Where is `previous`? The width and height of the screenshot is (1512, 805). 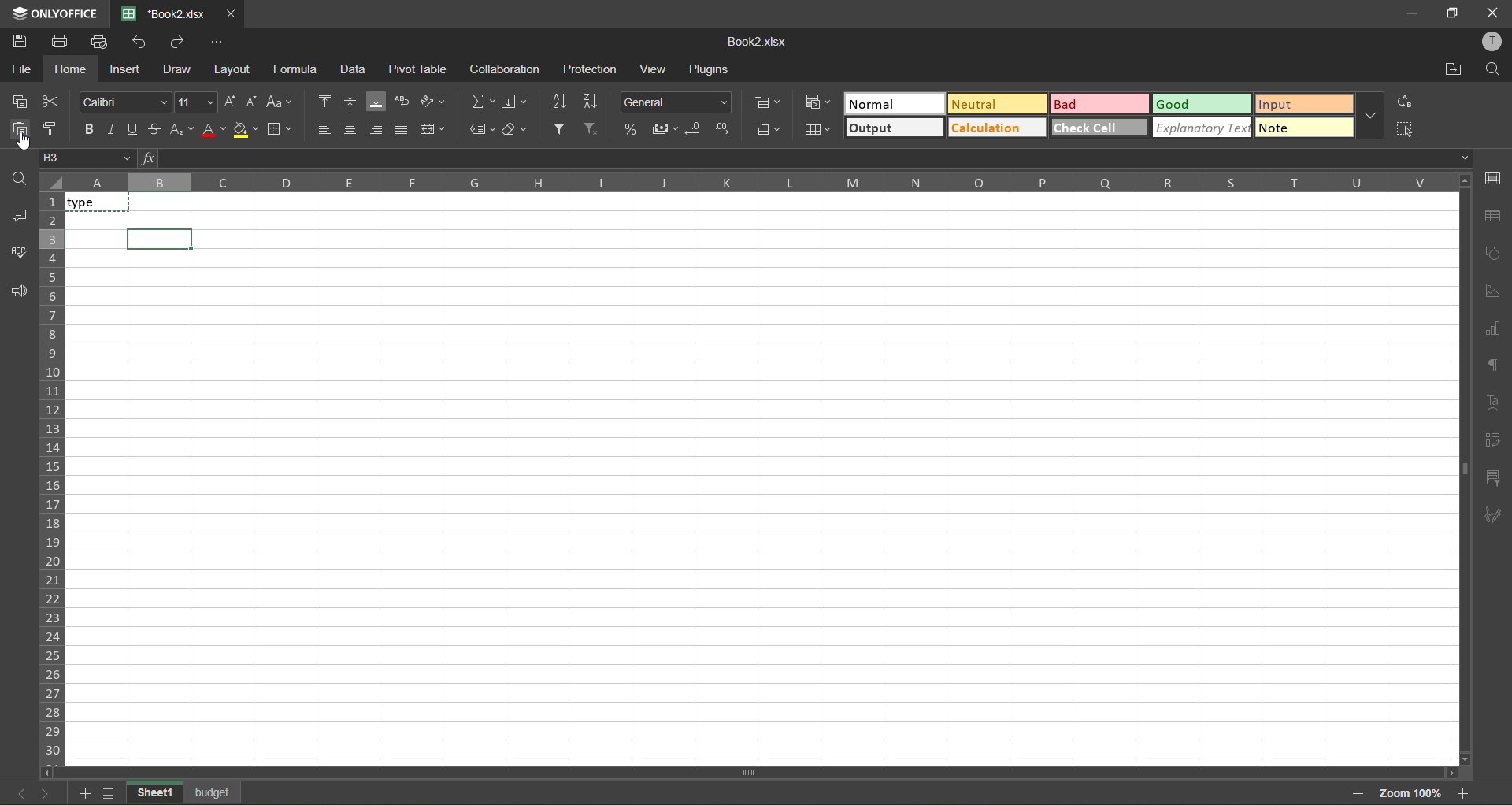 previous is located at coordinates (22, 793).